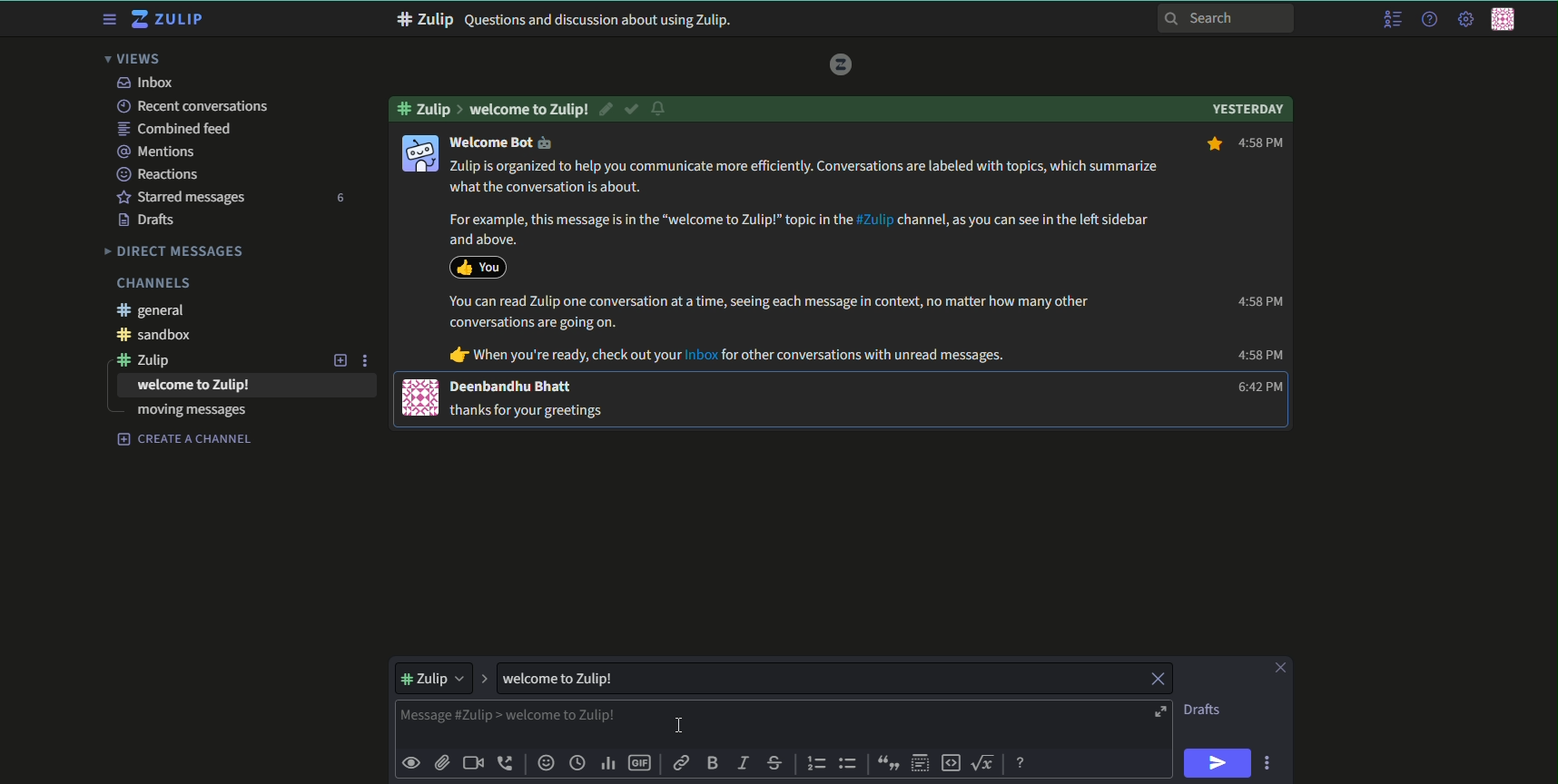 This screenshot has height=784, width=1558. I want to click on poll, so click(610, 765).